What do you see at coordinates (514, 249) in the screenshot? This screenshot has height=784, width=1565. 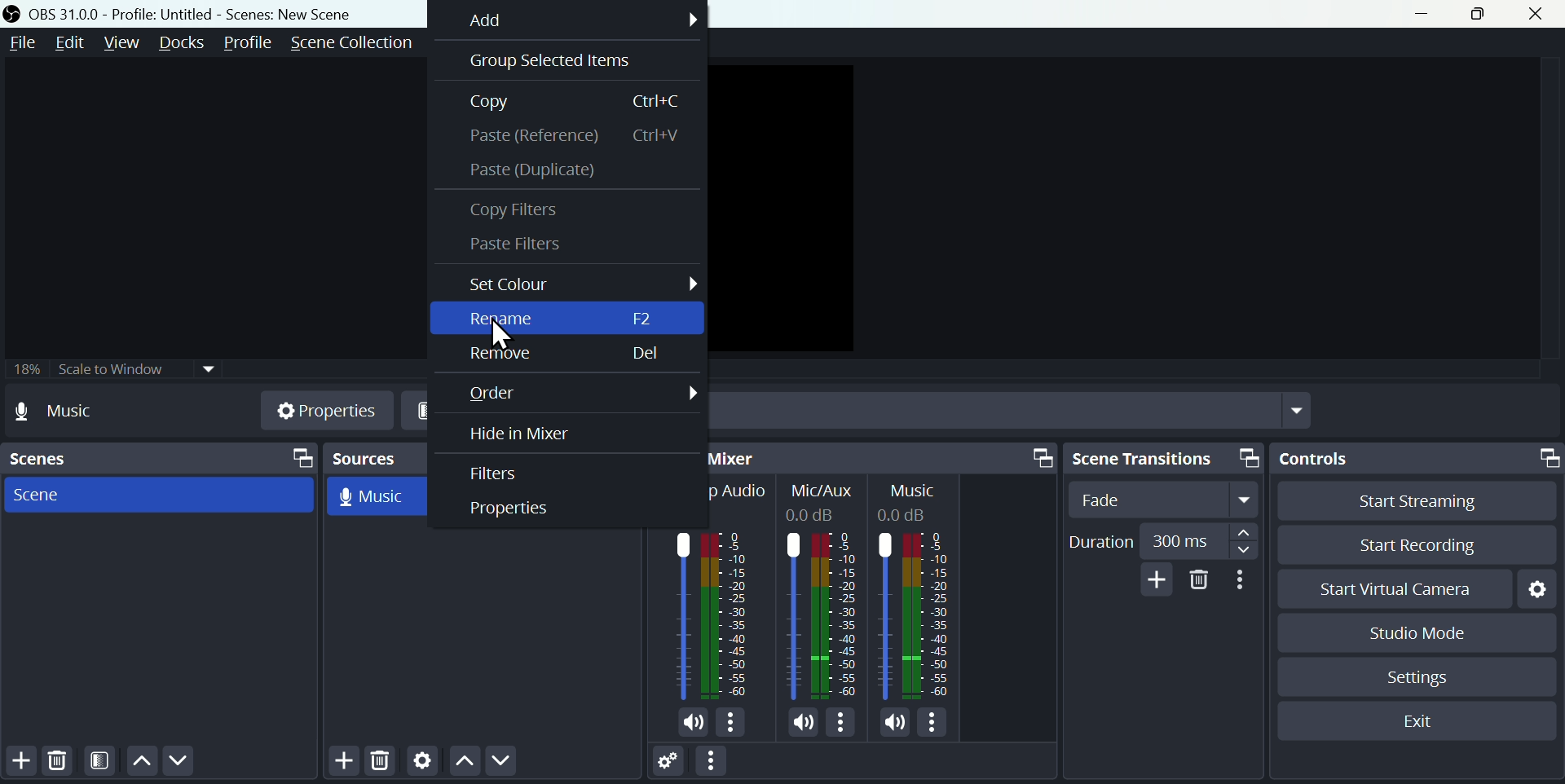 I see `Paste Filters` at bounding box center [514, 249].